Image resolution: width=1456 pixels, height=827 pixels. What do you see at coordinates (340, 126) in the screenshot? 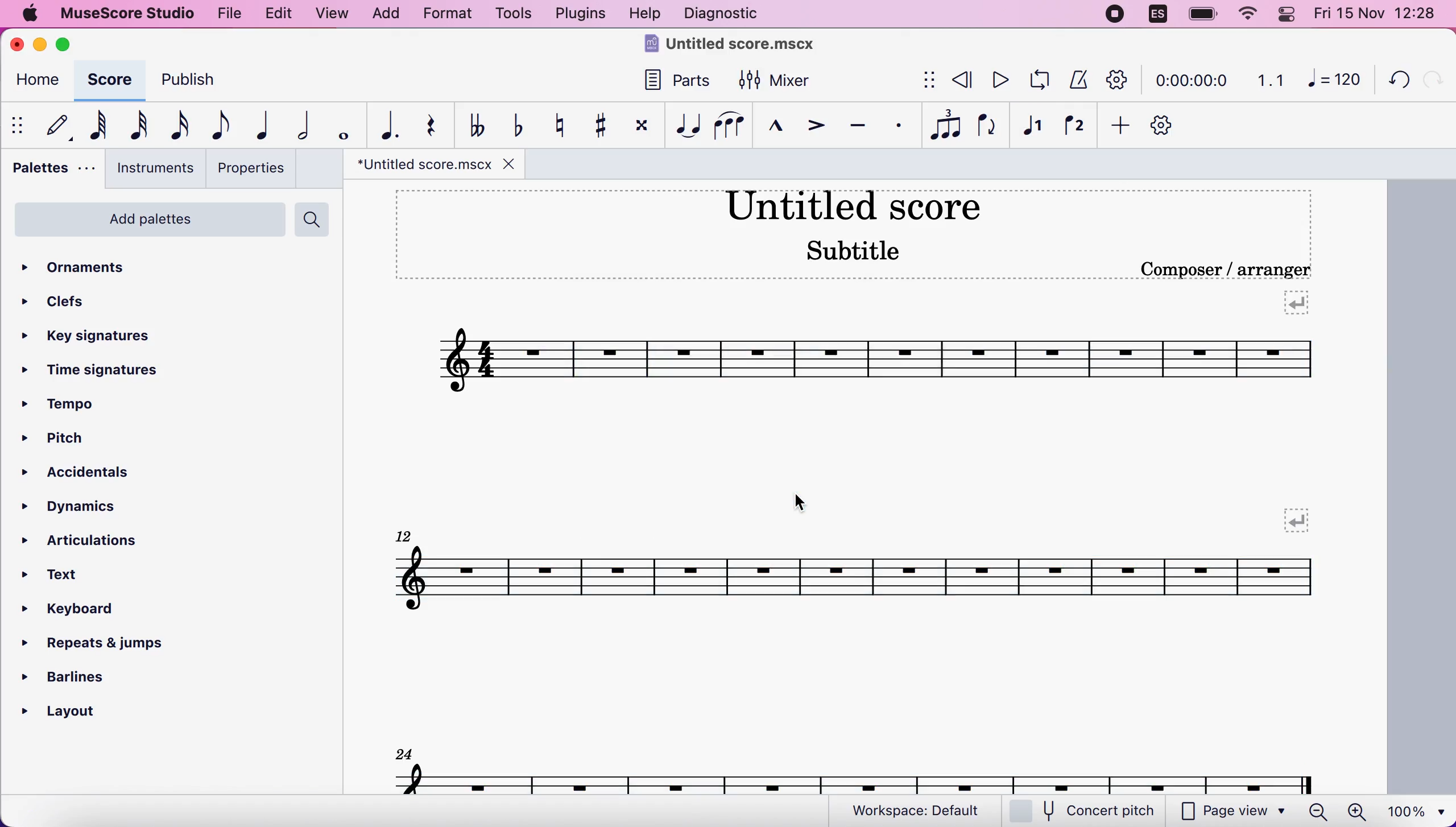
I see `whole note` at bounding box center [340, 126].